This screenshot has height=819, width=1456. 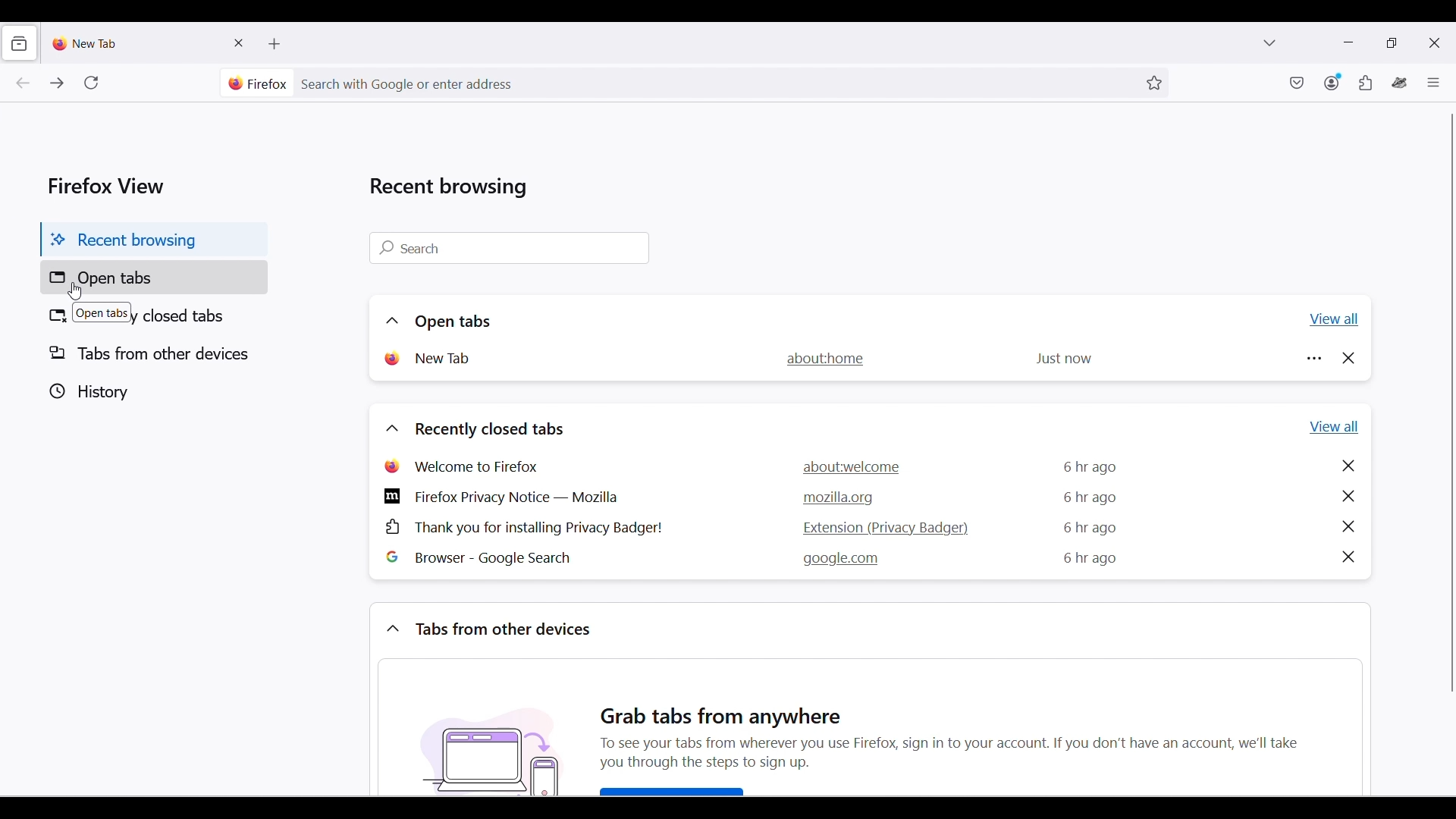 What do you see at coordinates (1366, 83) in the screenshot?
I see `Extensions` at bounding box center [1366, 83].